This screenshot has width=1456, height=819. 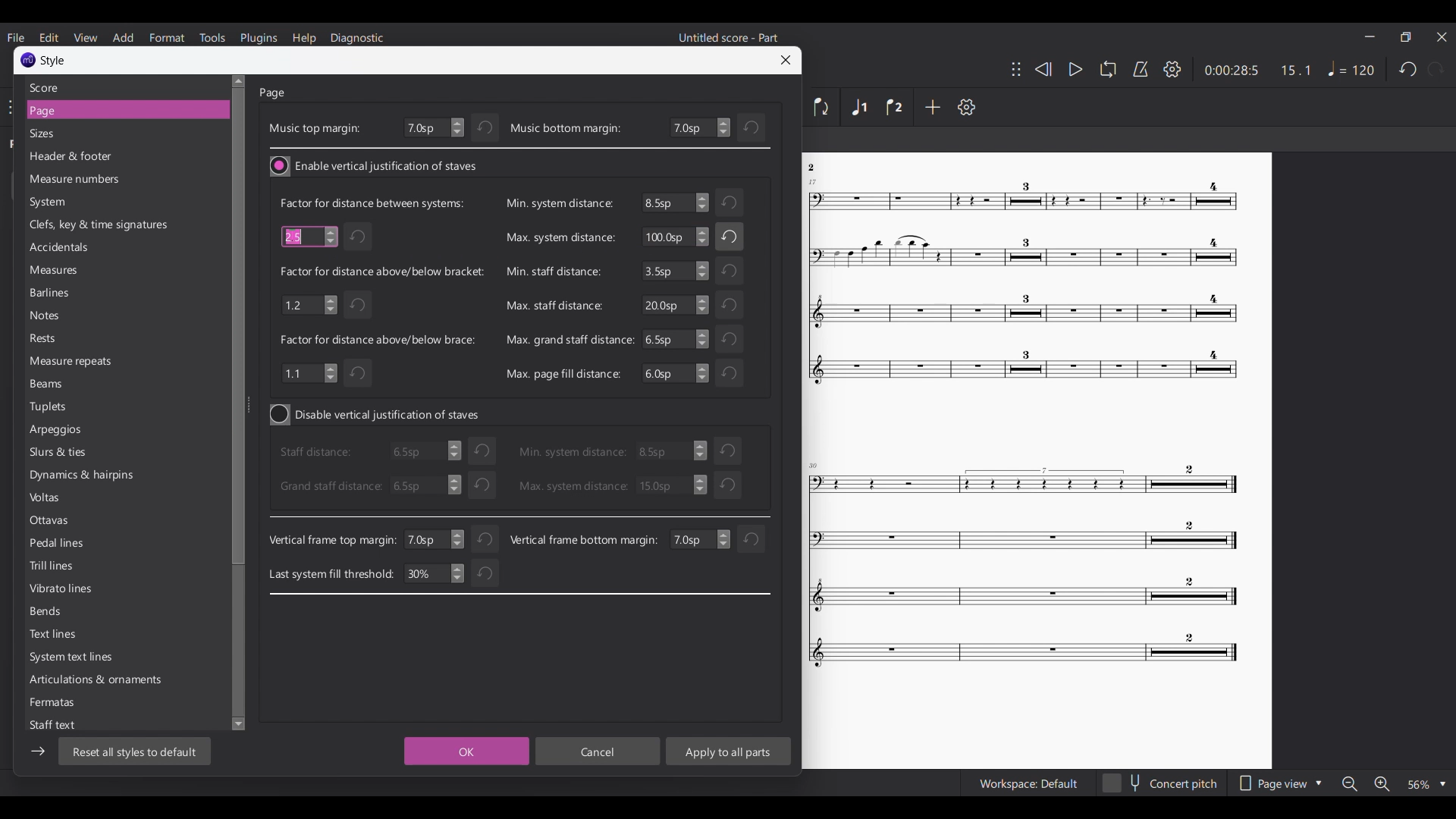 I want to click on Meaures, so click(x=92, y=273).